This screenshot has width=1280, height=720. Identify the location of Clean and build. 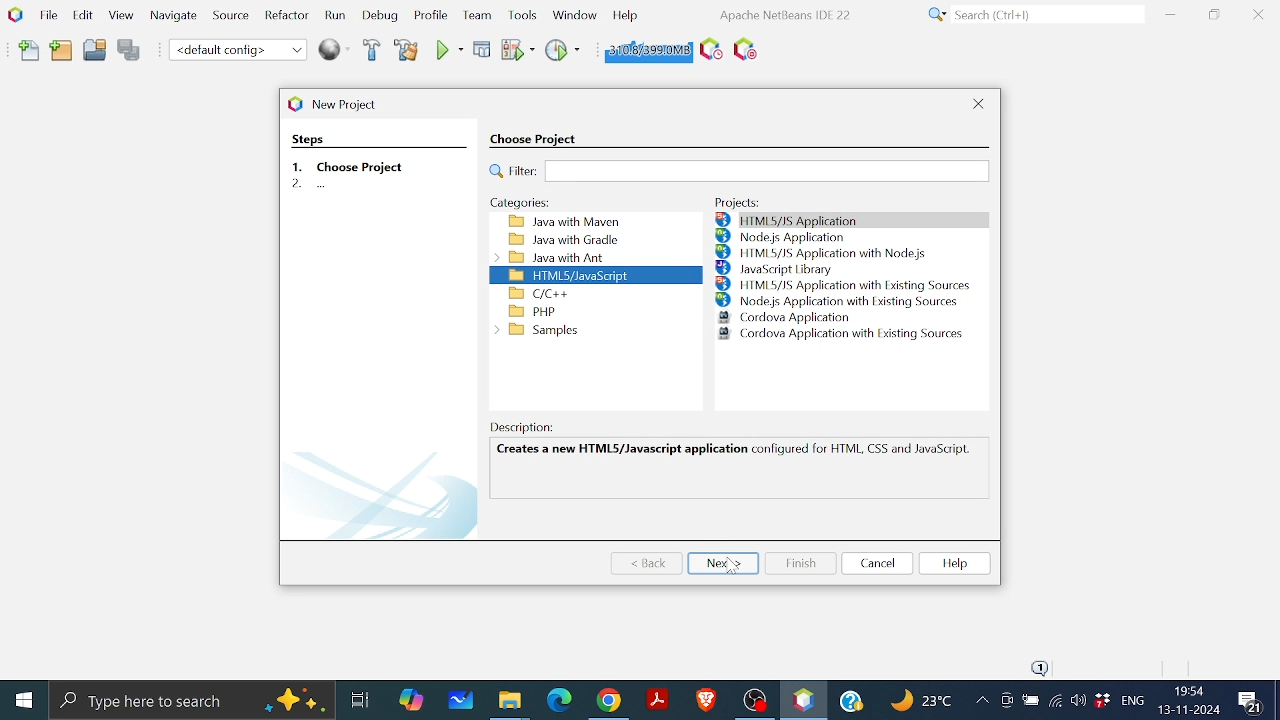
(405, 50).